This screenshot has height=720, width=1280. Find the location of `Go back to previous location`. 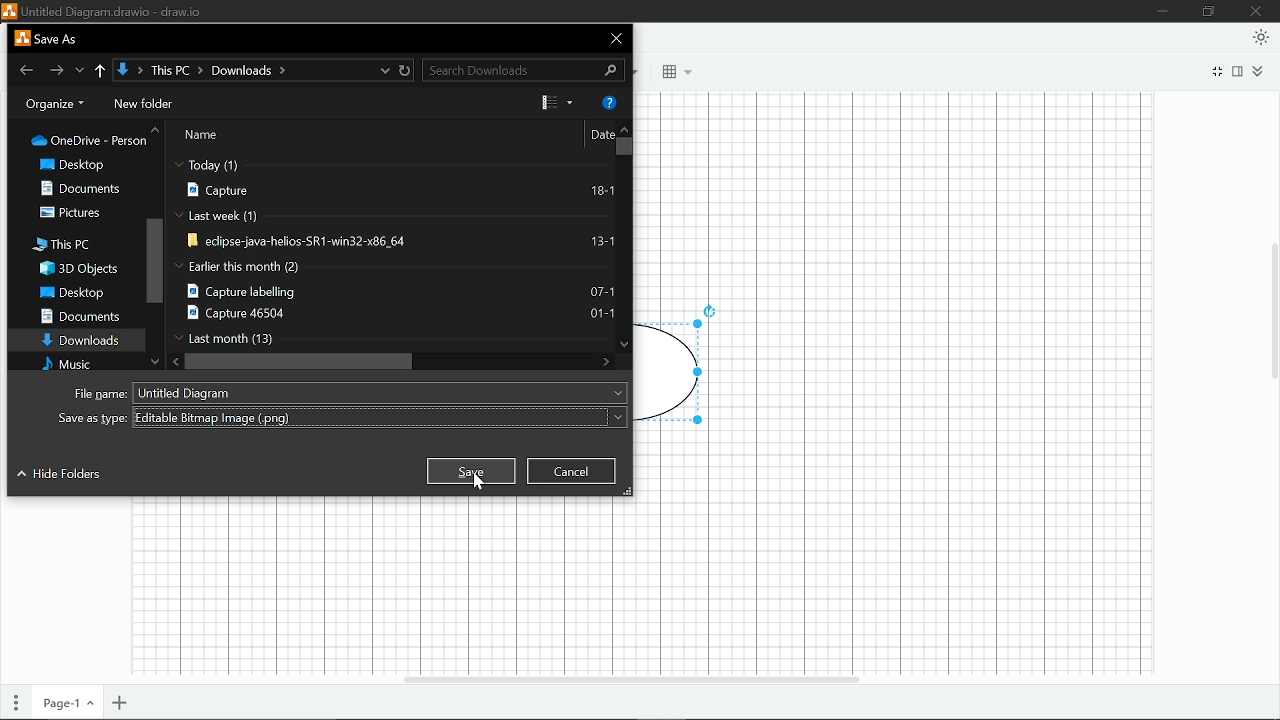

Go back to previous location is located at coordinates (28, 71).